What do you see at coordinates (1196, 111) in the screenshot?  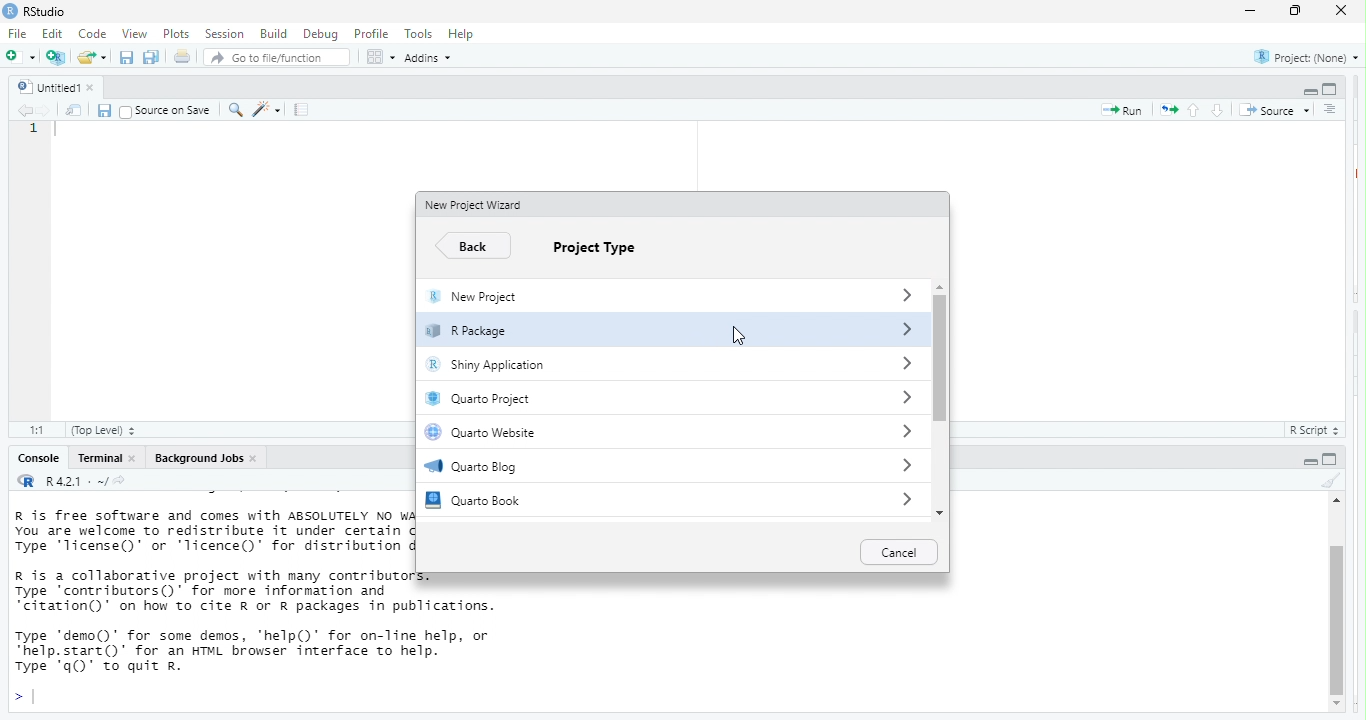 I see `go to previous section/chunk` at bounding box center [1196, 111].